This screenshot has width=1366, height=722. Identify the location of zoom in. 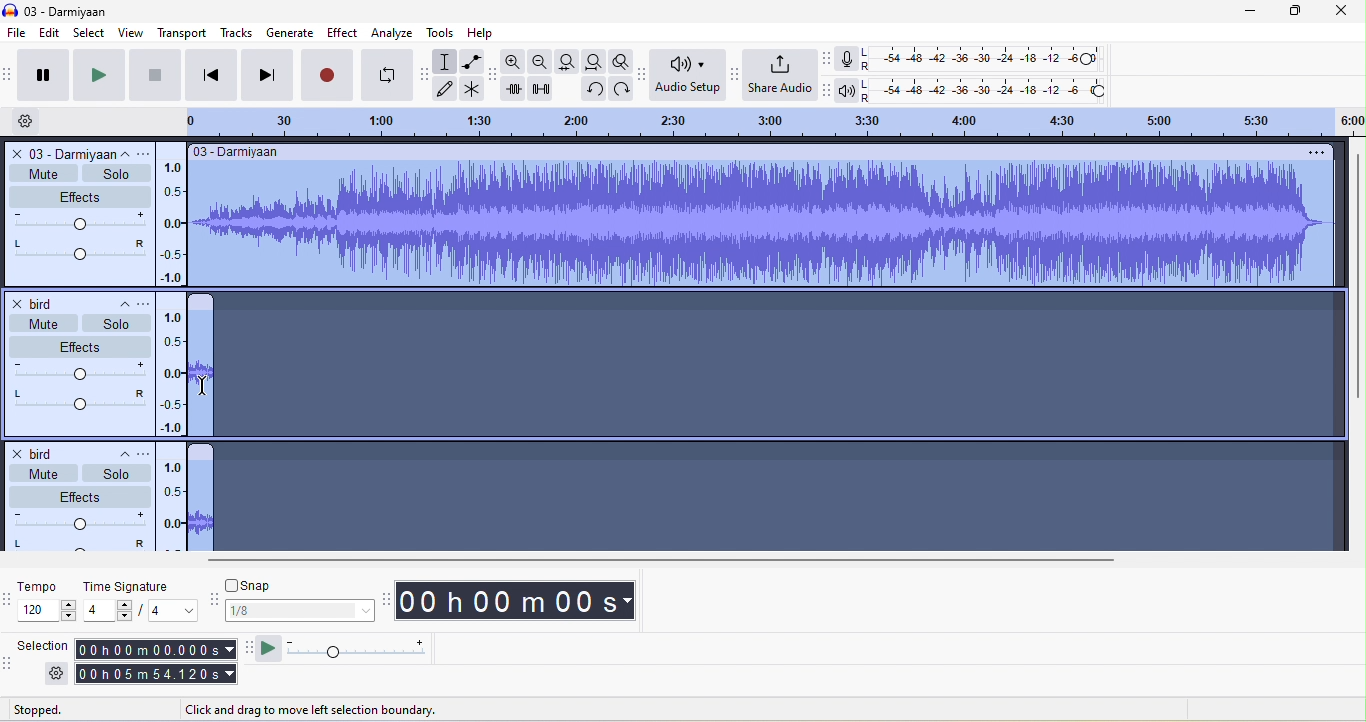
(516, 64).